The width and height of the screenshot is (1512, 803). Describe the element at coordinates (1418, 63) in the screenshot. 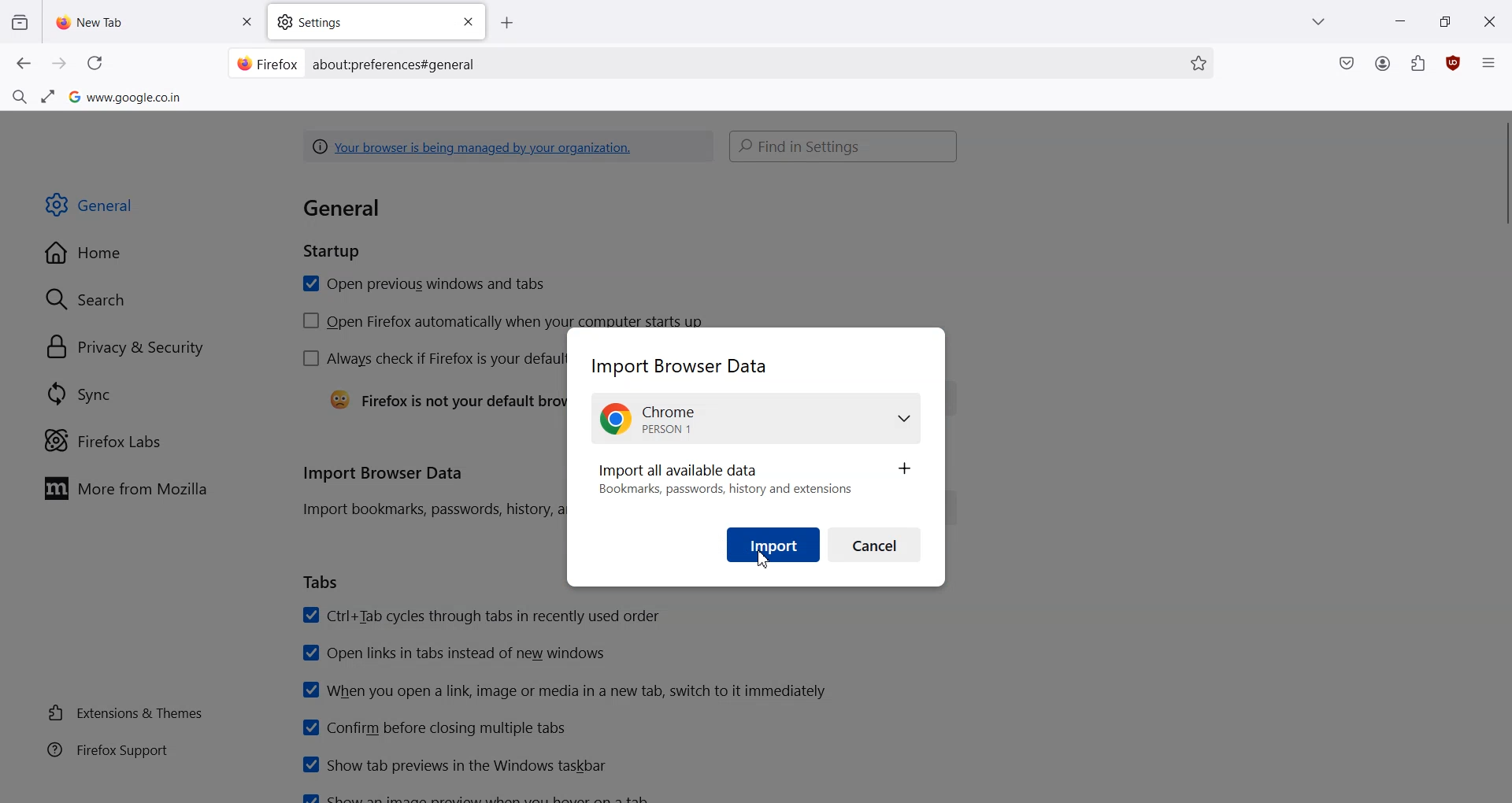

I see `Extensions` at that location.